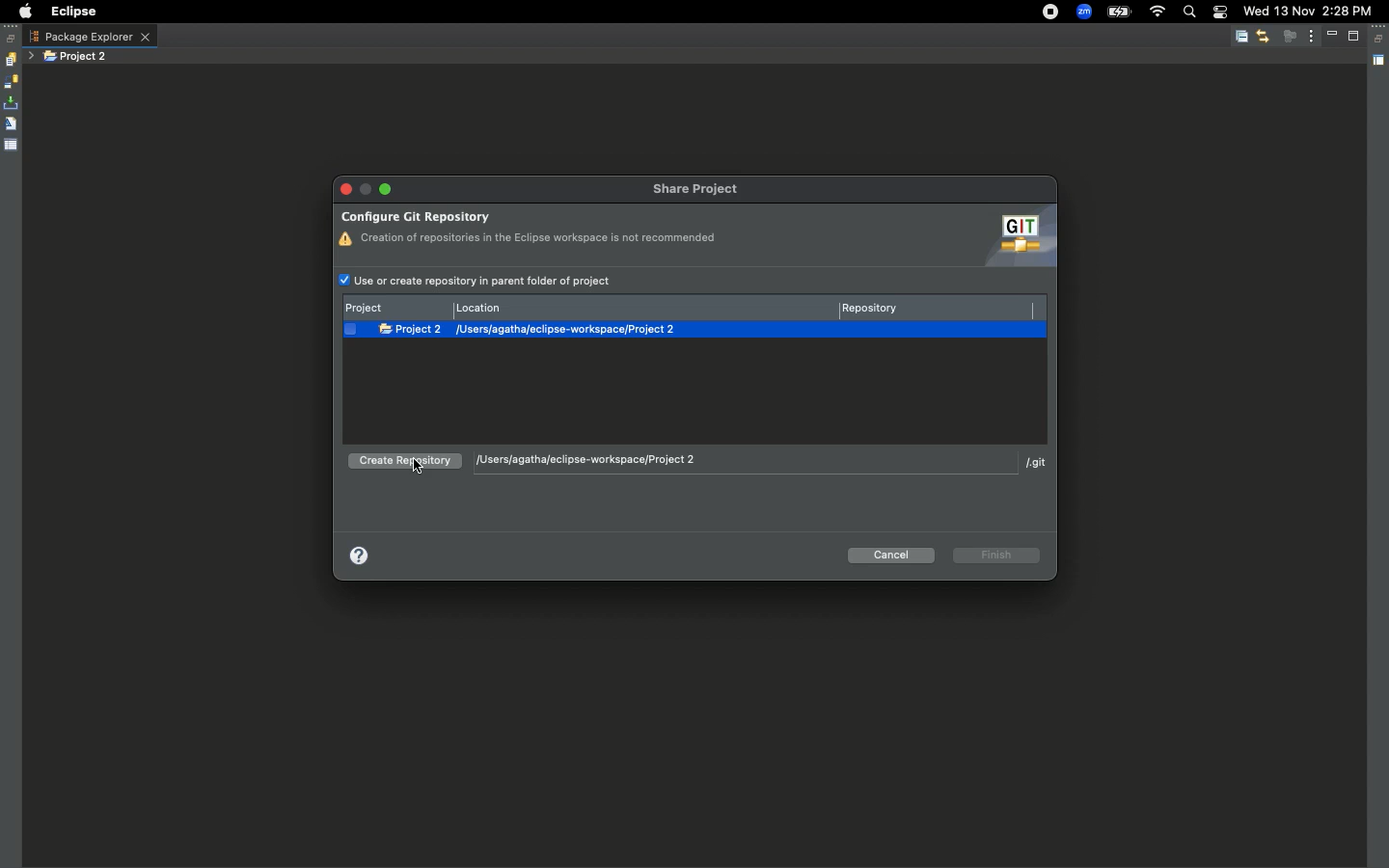  Describe the element at coordinates (77, 57) in the screenshot. I see `Project 2` at that location.